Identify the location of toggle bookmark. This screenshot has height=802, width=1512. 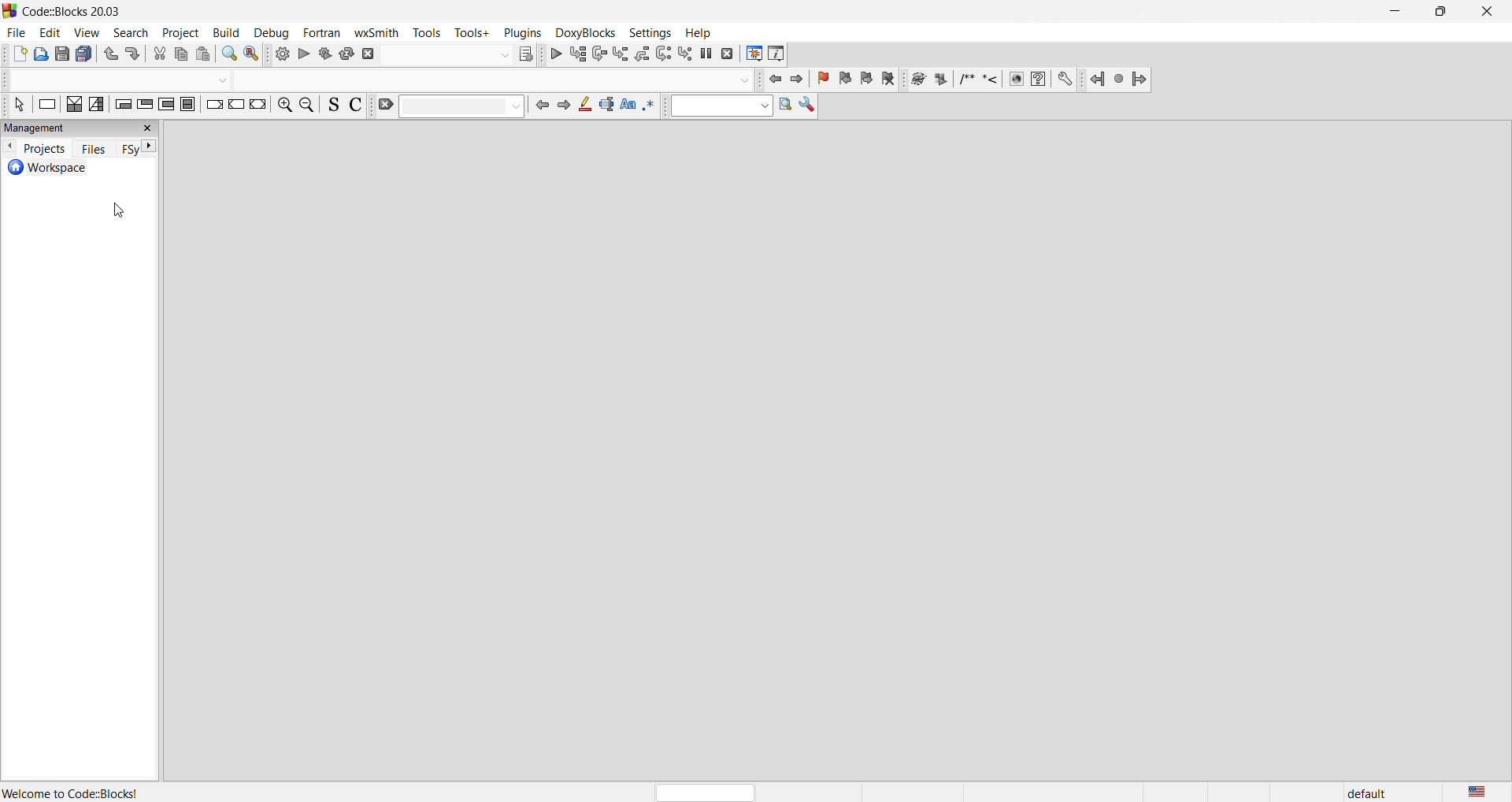
(823, 80).